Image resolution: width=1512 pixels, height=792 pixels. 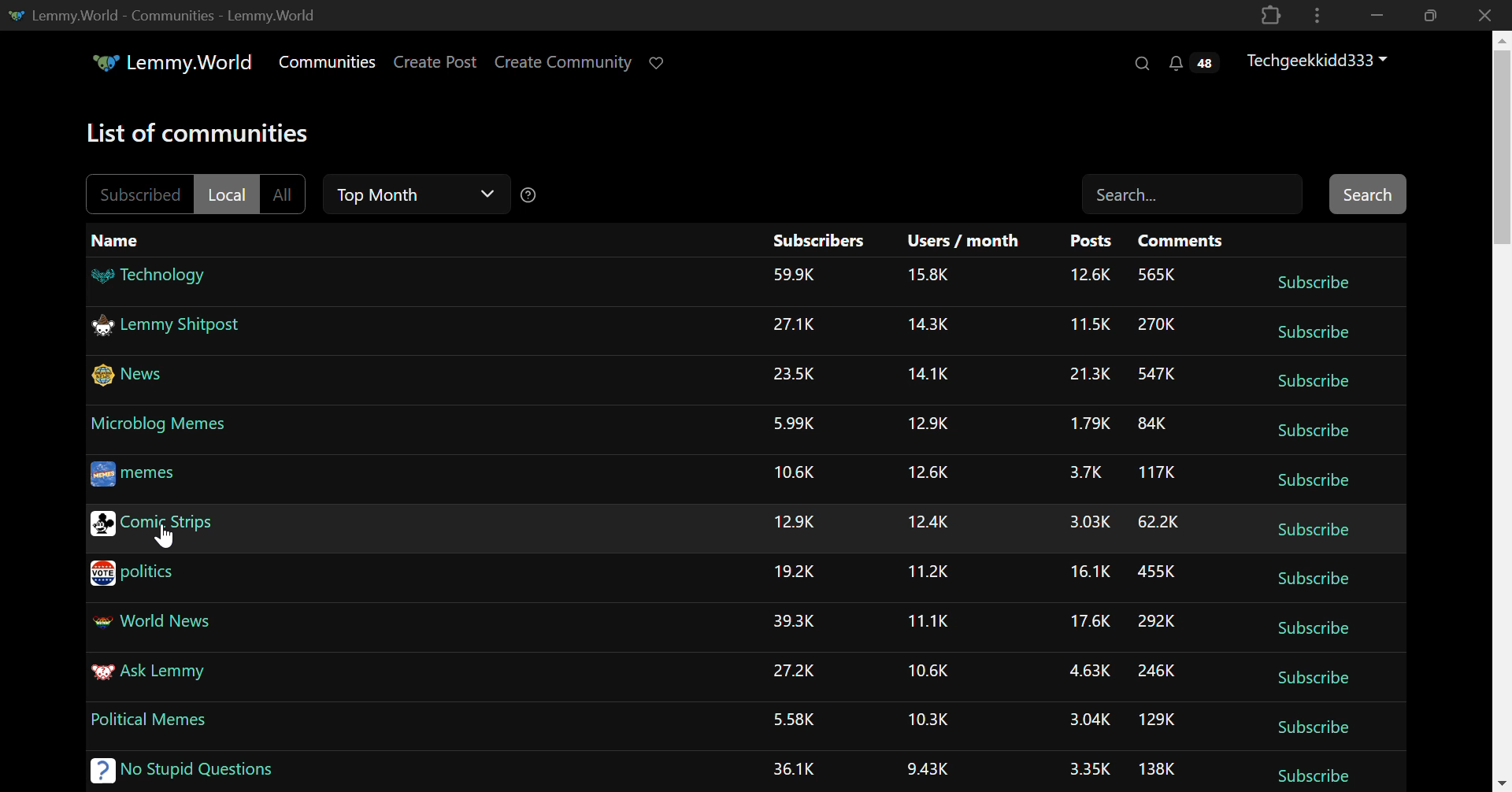 I want to click on Subscribe, so click(x=1315, y=730).